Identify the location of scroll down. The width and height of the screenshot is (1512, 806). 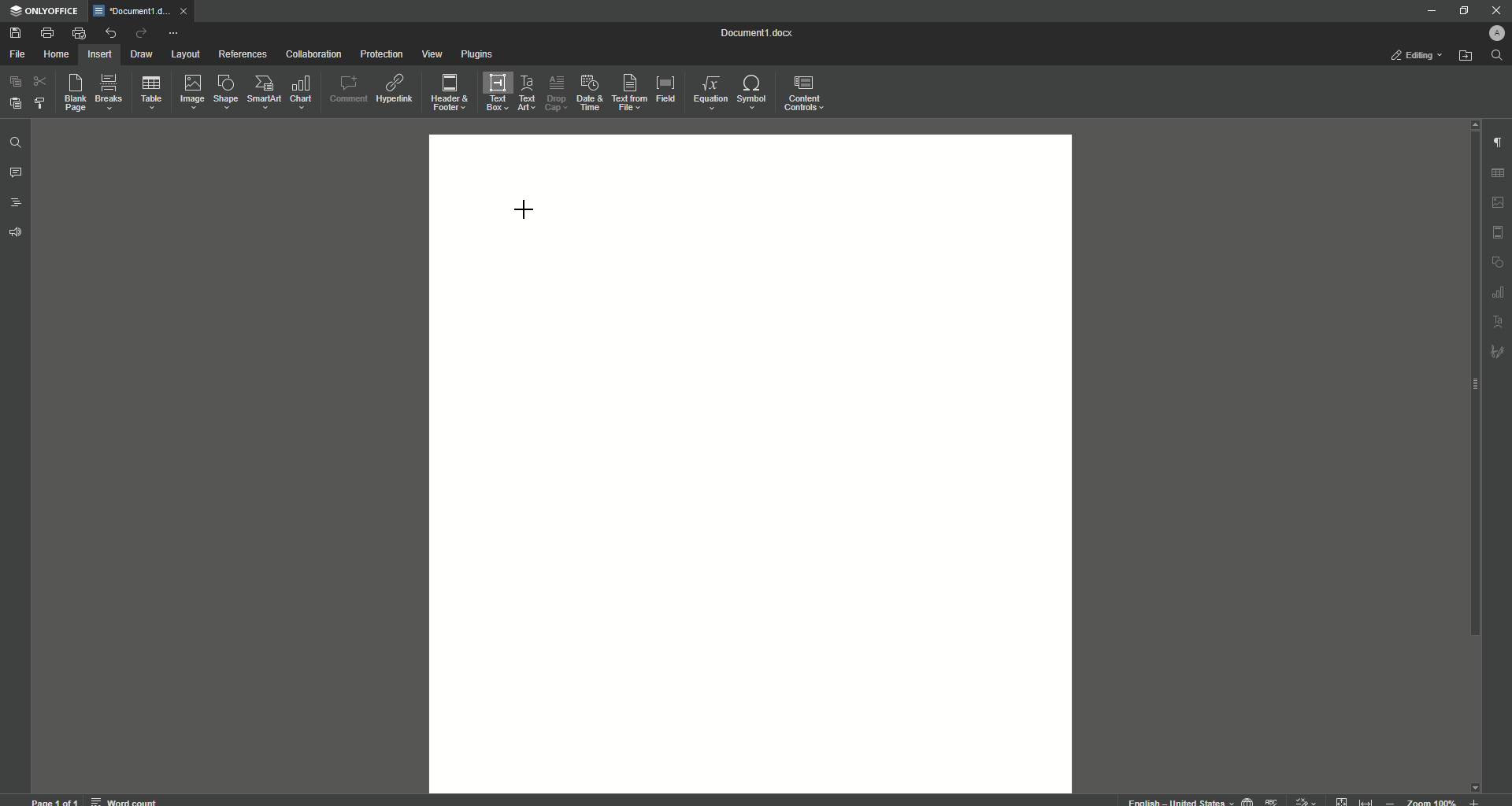
(1474, 783).